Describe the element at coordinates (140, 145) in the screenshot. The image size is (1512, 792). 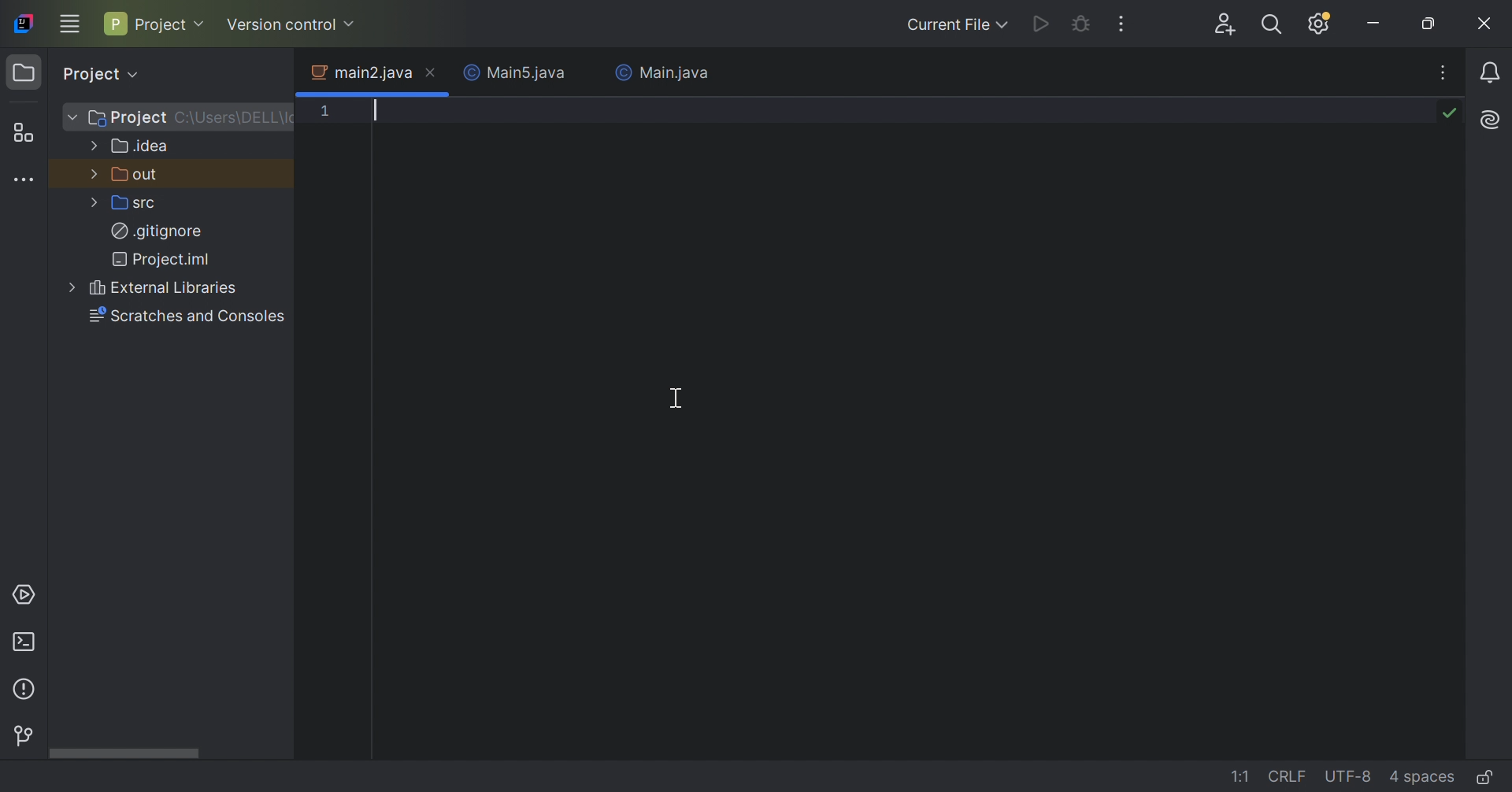
I see `.idea` at that location.